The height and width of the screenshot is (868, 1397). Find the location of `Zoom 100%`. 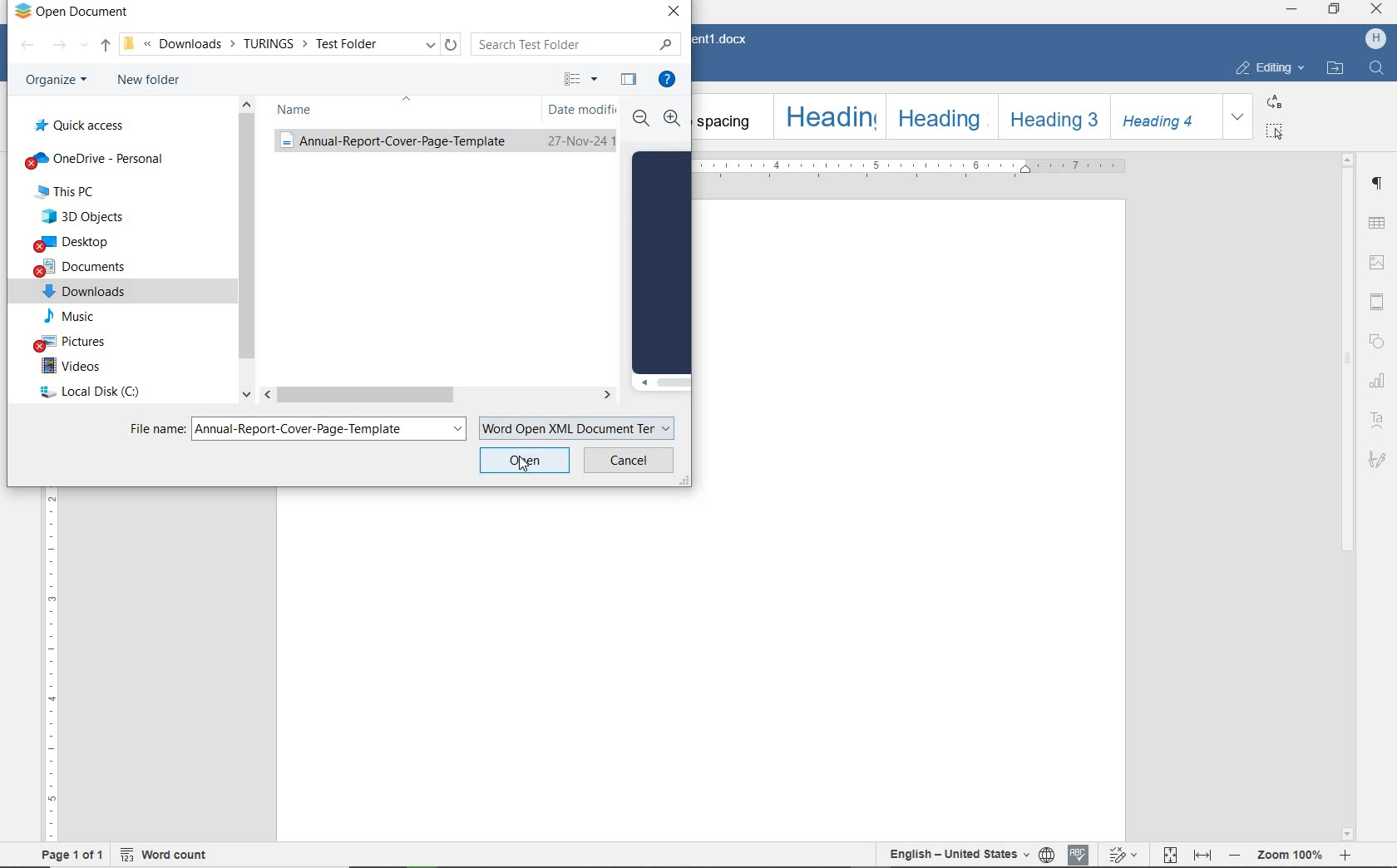

Zoom 100% is located at coordinates (1285, 855).